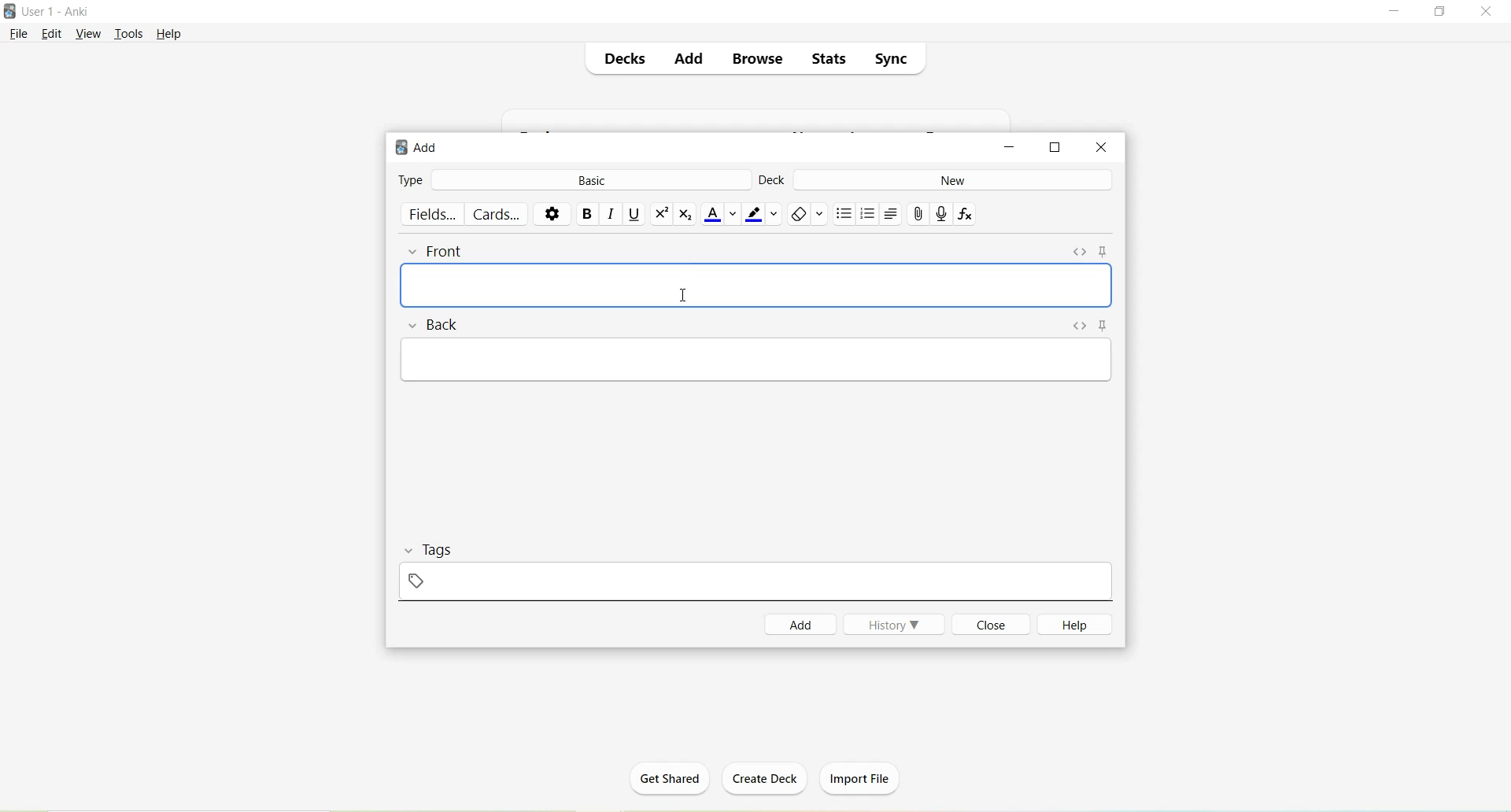 The image size is (1511, 812). Describe the element at coordinates (866, 779) in the screenshot. I see `Import File` at that location.